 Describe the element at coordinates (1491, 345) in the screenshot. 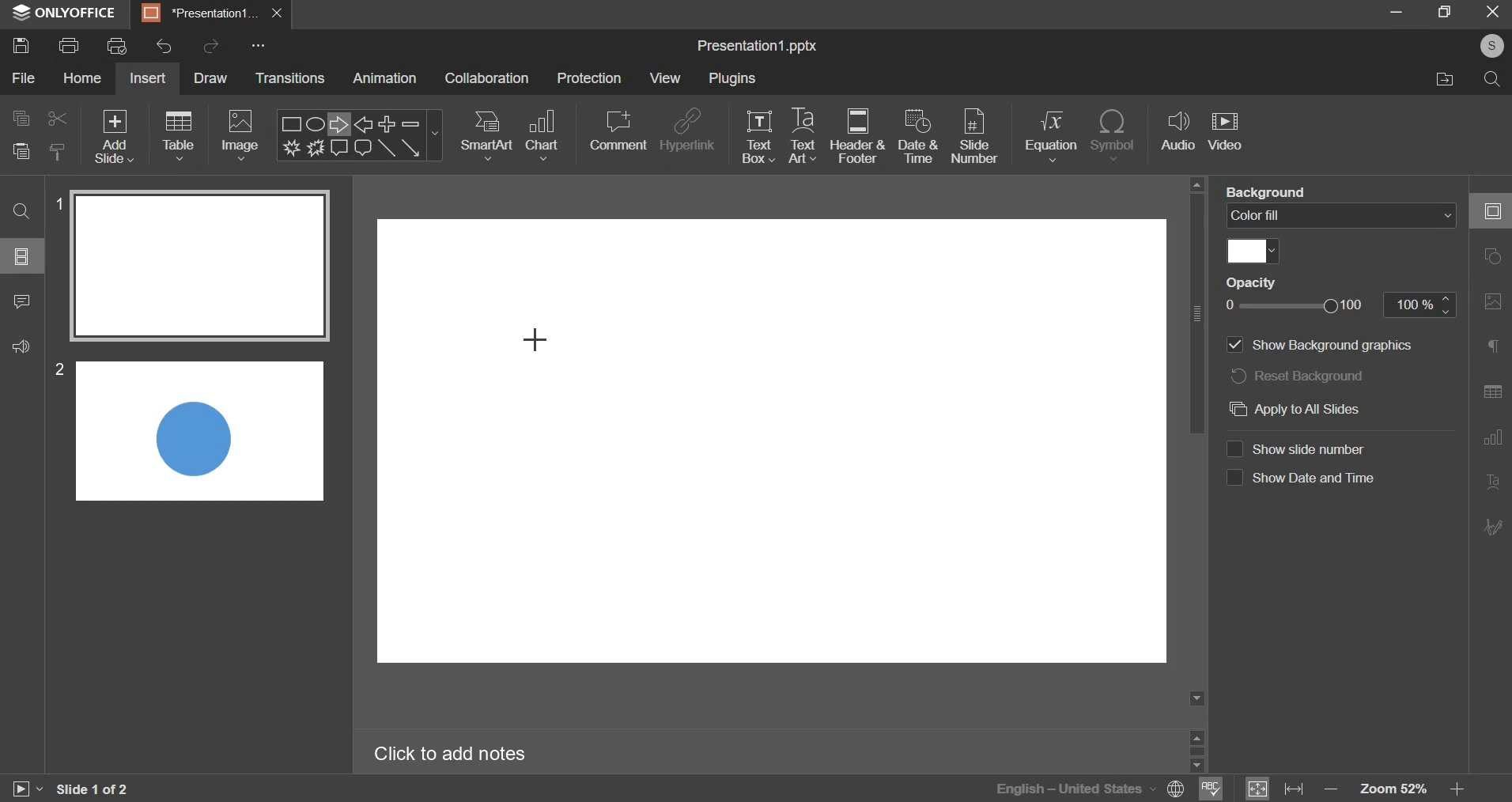

I see `Paragraph settings` at that location.